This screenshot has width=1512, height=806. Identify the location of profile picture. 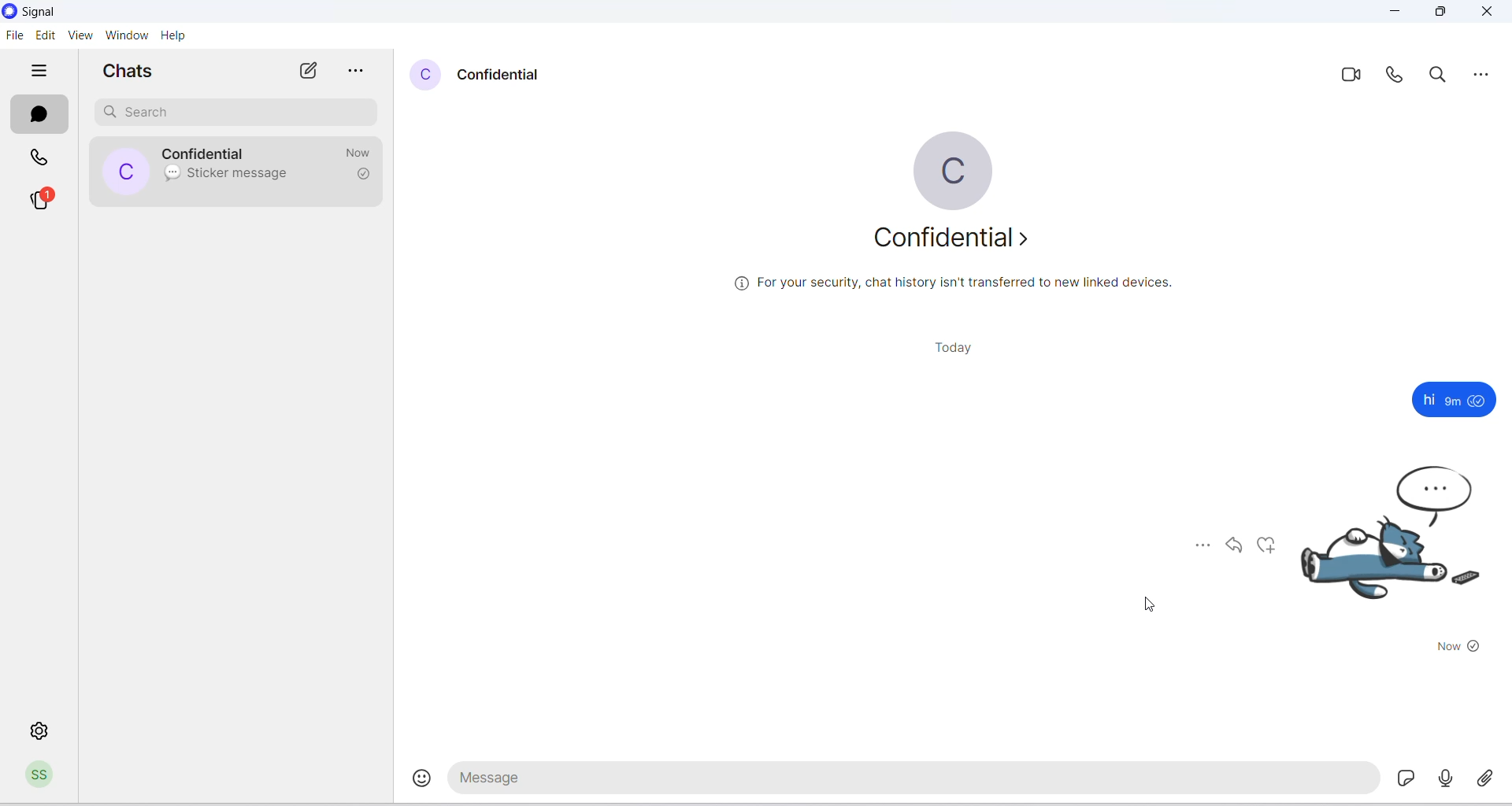
(426, 76).